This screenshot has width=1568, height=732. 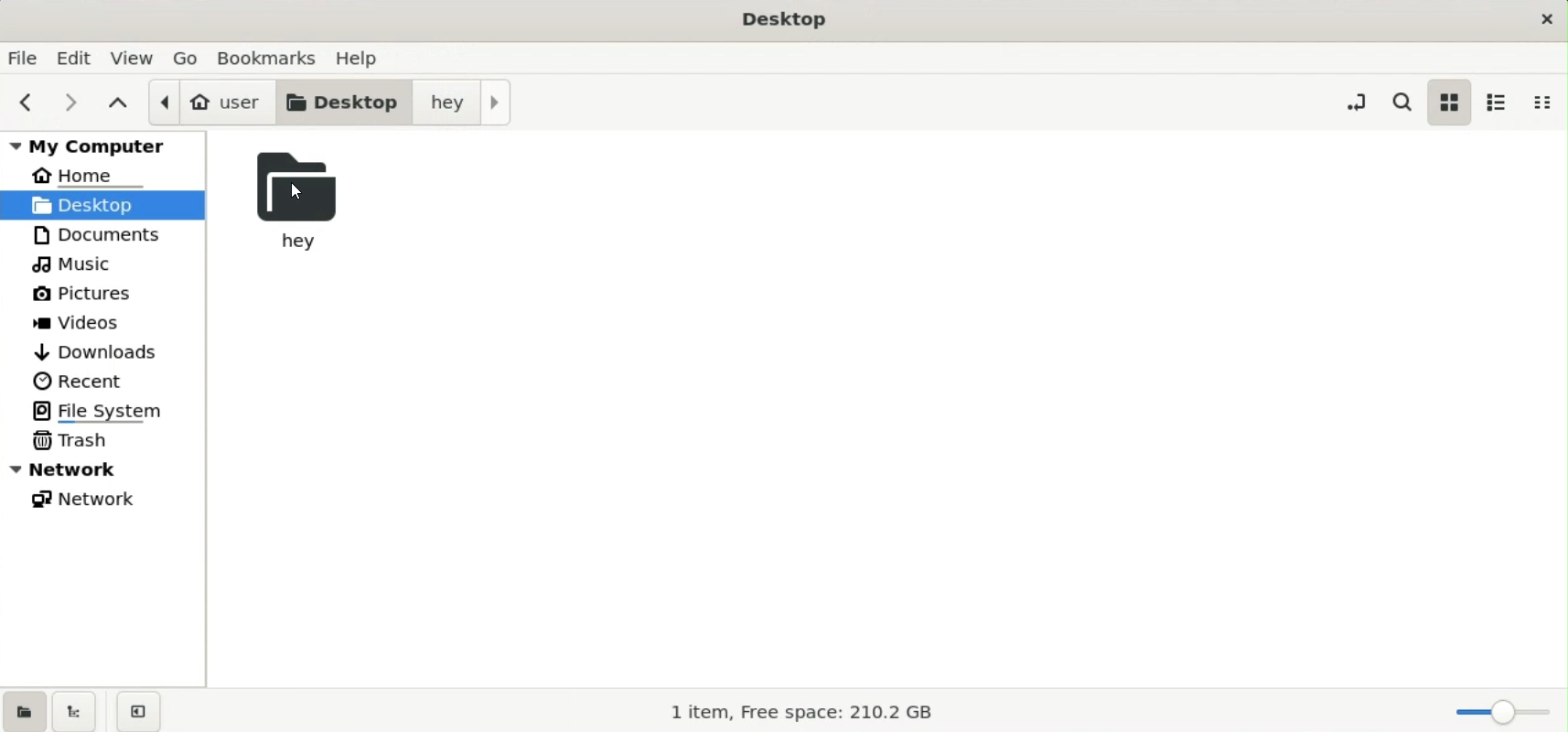 I want to click on trash, so click(x=75, y=439).